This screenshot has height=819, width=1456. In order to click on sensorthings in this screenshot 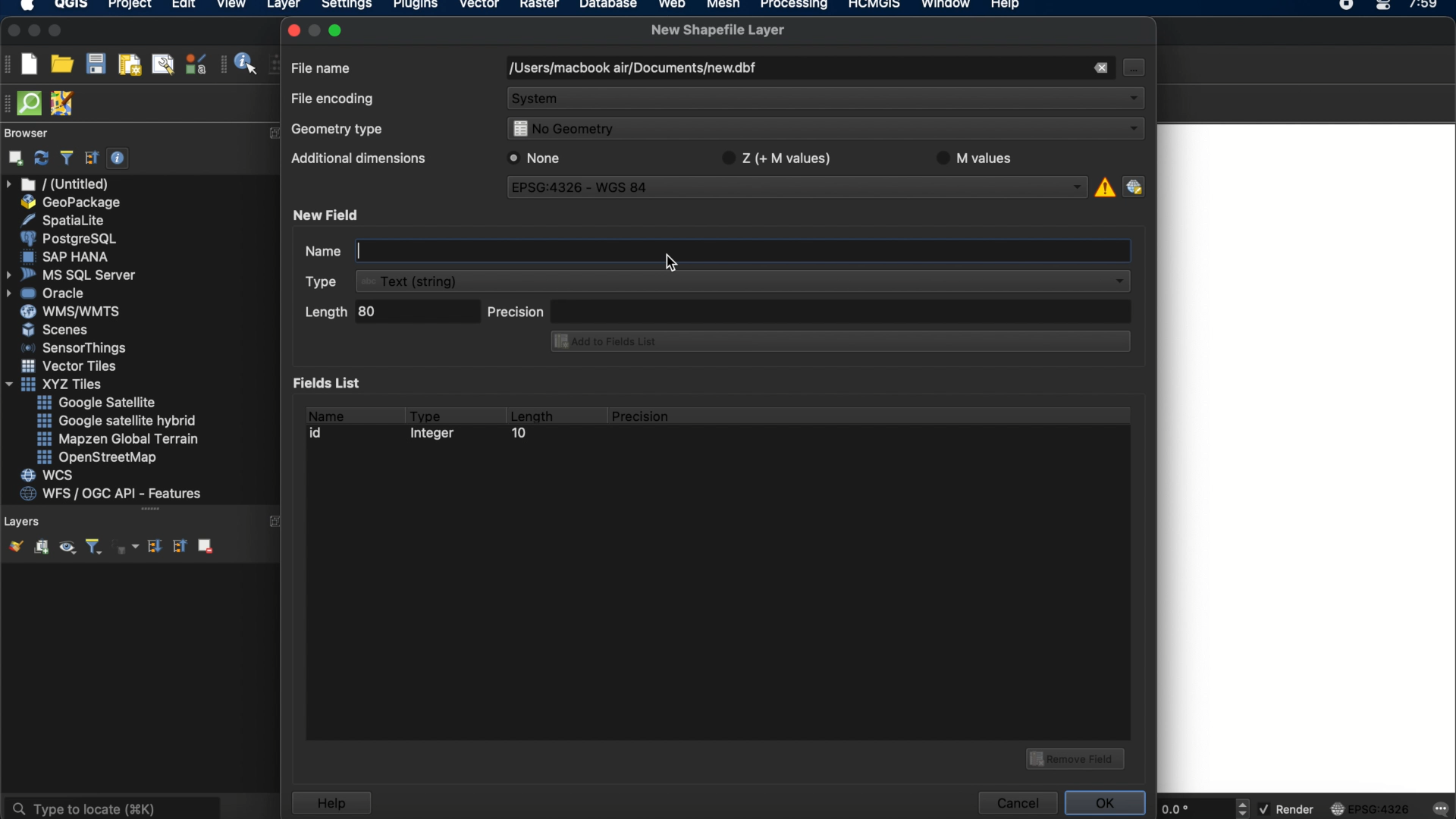, I will do `click(74, 348)`.